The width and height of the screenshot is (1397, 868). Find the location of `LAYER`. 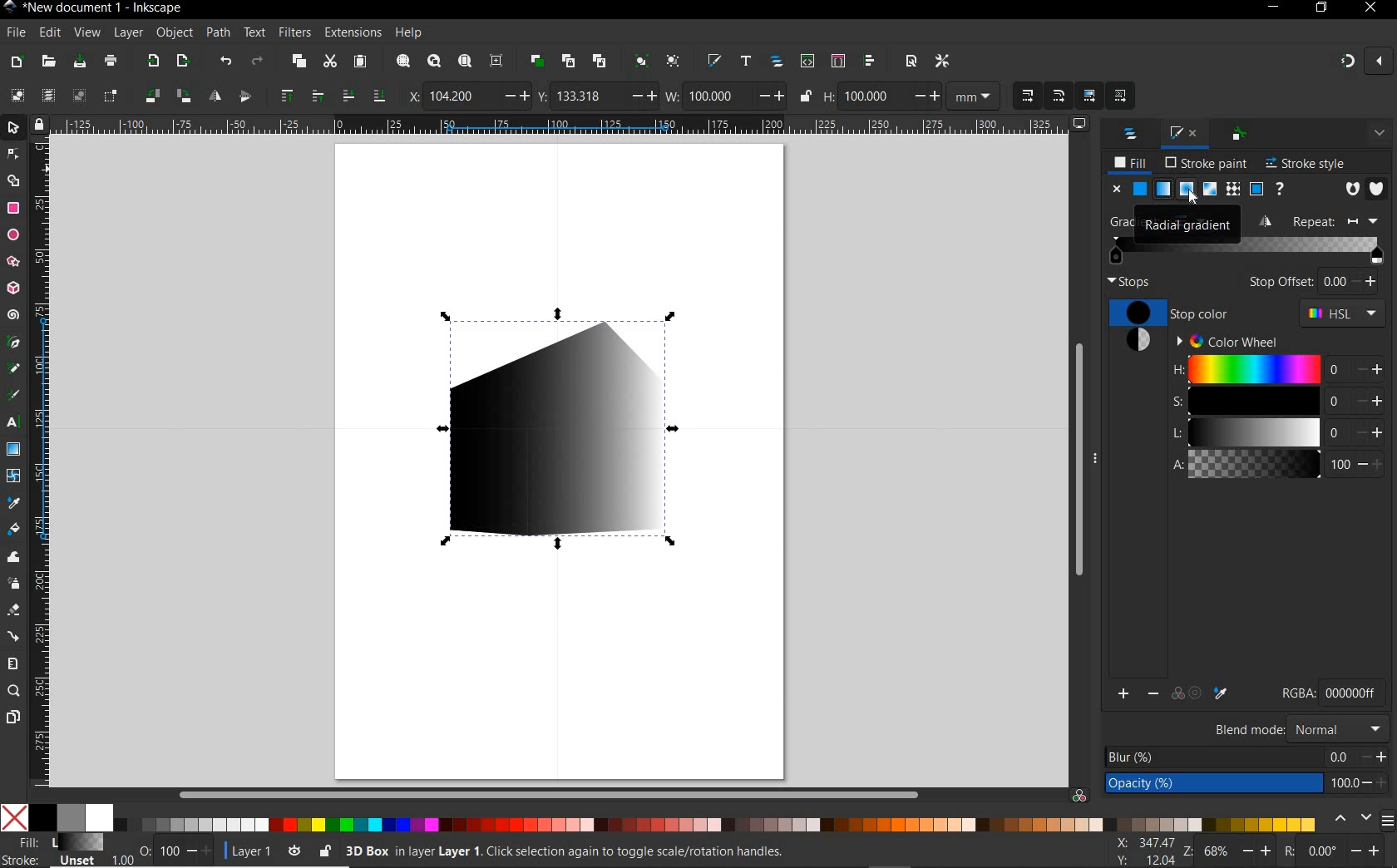

LAYER is located at coordinates (129, 32).